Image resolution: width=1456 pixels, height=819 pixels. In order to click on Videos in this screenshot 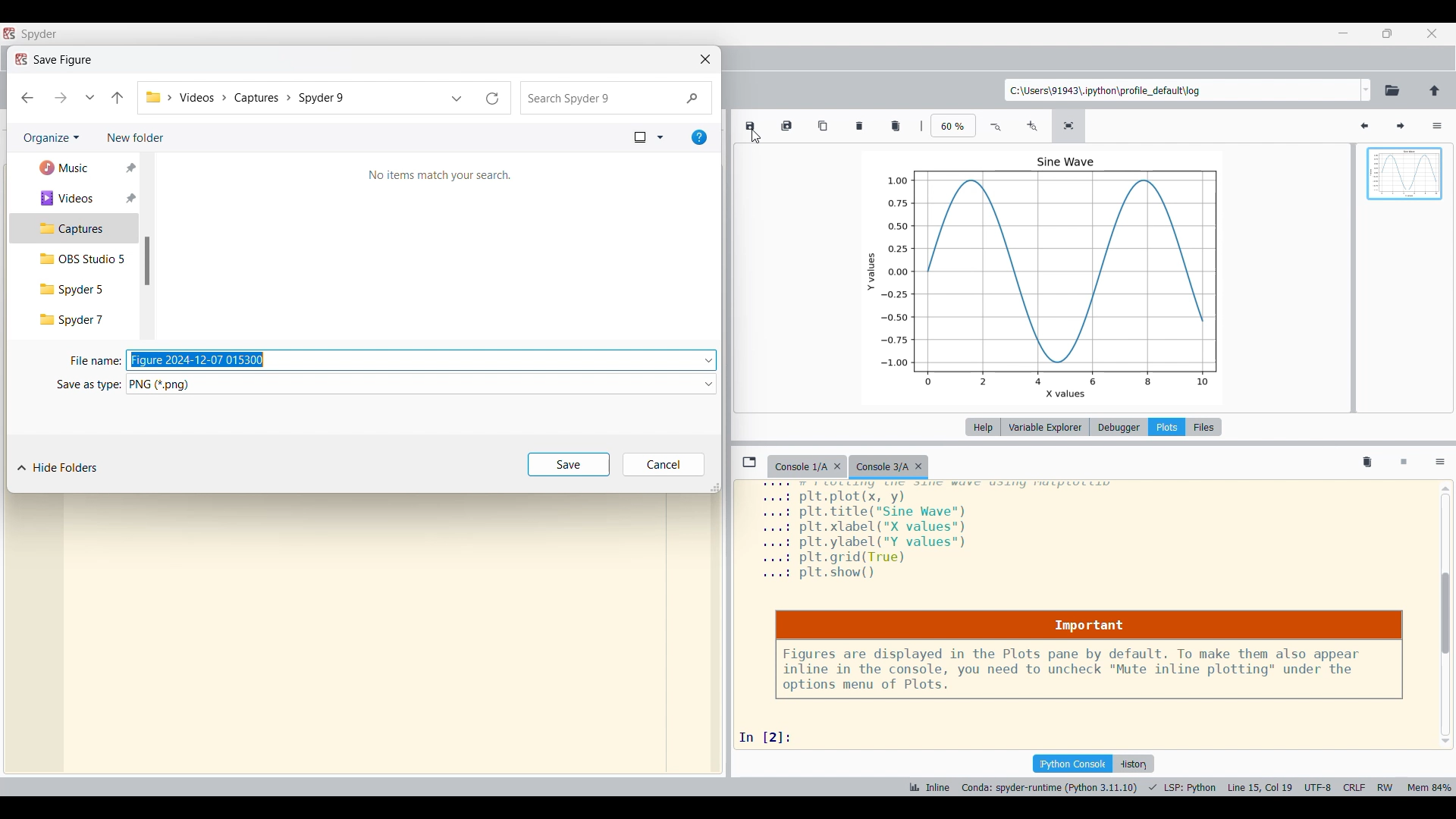, I will do `click(76, 198)`.